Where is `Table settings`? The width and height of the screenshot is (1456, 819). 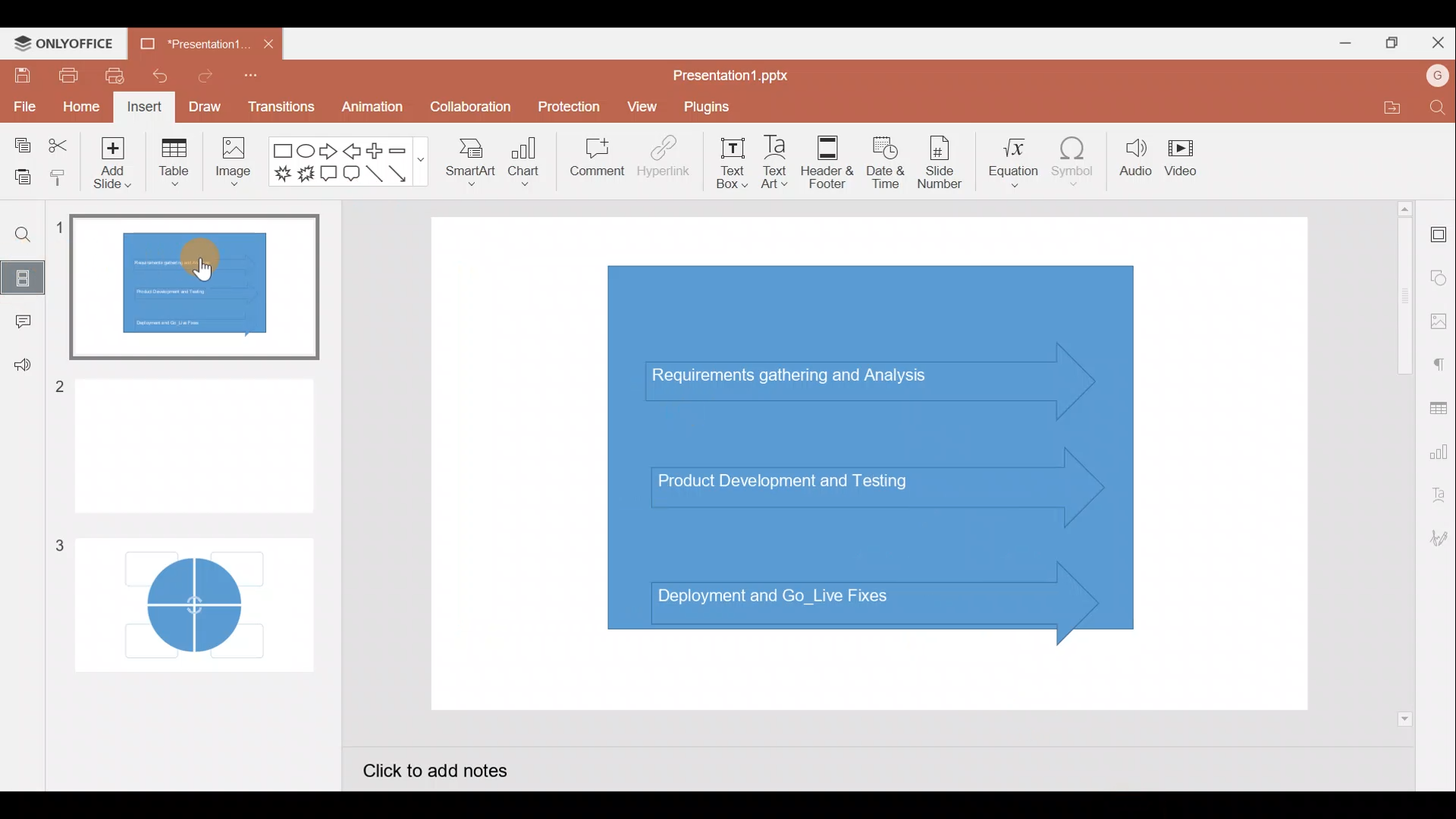
Table settings is located at coordinates (1439, 408).